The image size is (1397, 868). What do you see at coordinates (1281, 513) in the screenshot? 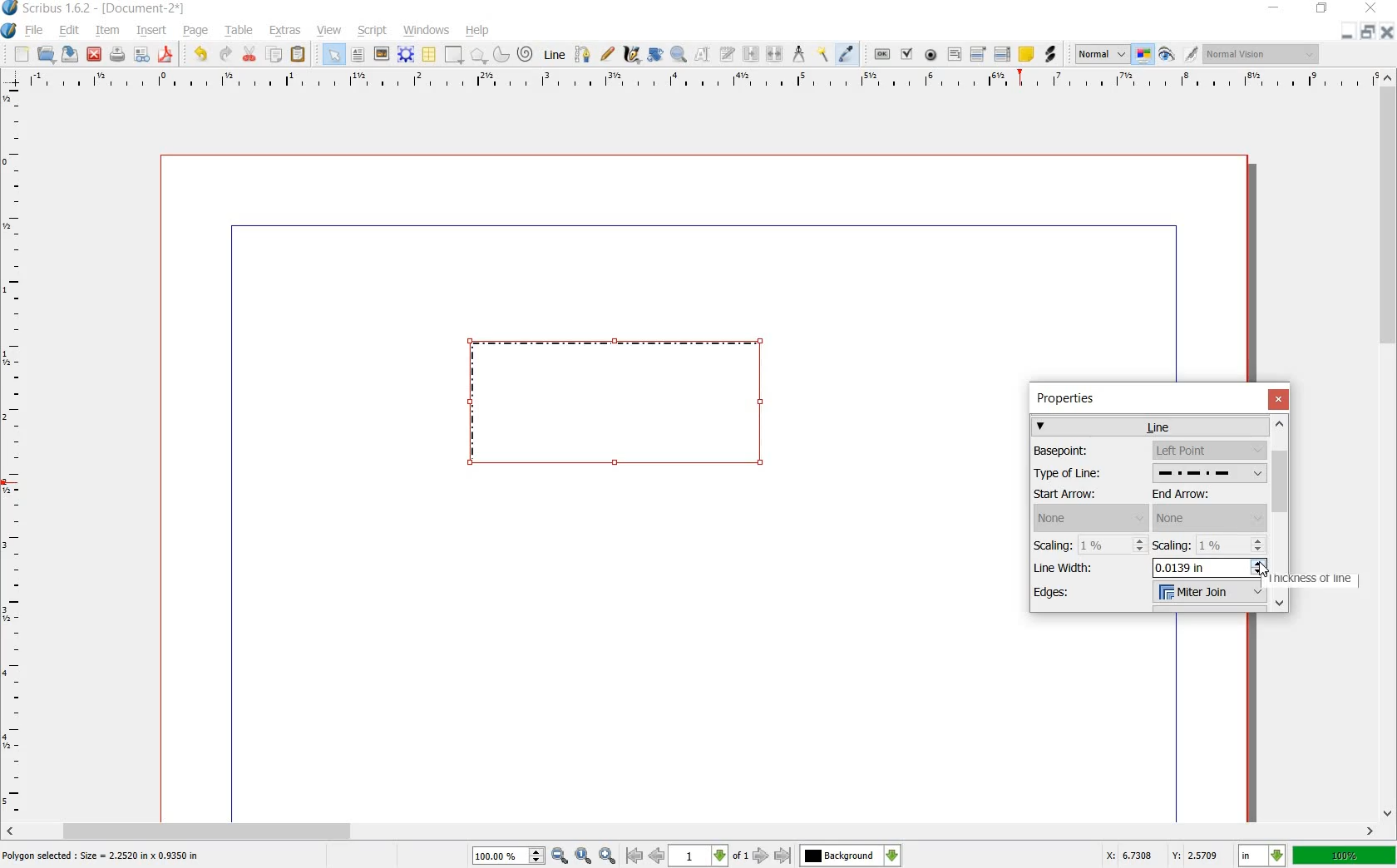
I see `scrollbar` at bounding box center [1281, 513].